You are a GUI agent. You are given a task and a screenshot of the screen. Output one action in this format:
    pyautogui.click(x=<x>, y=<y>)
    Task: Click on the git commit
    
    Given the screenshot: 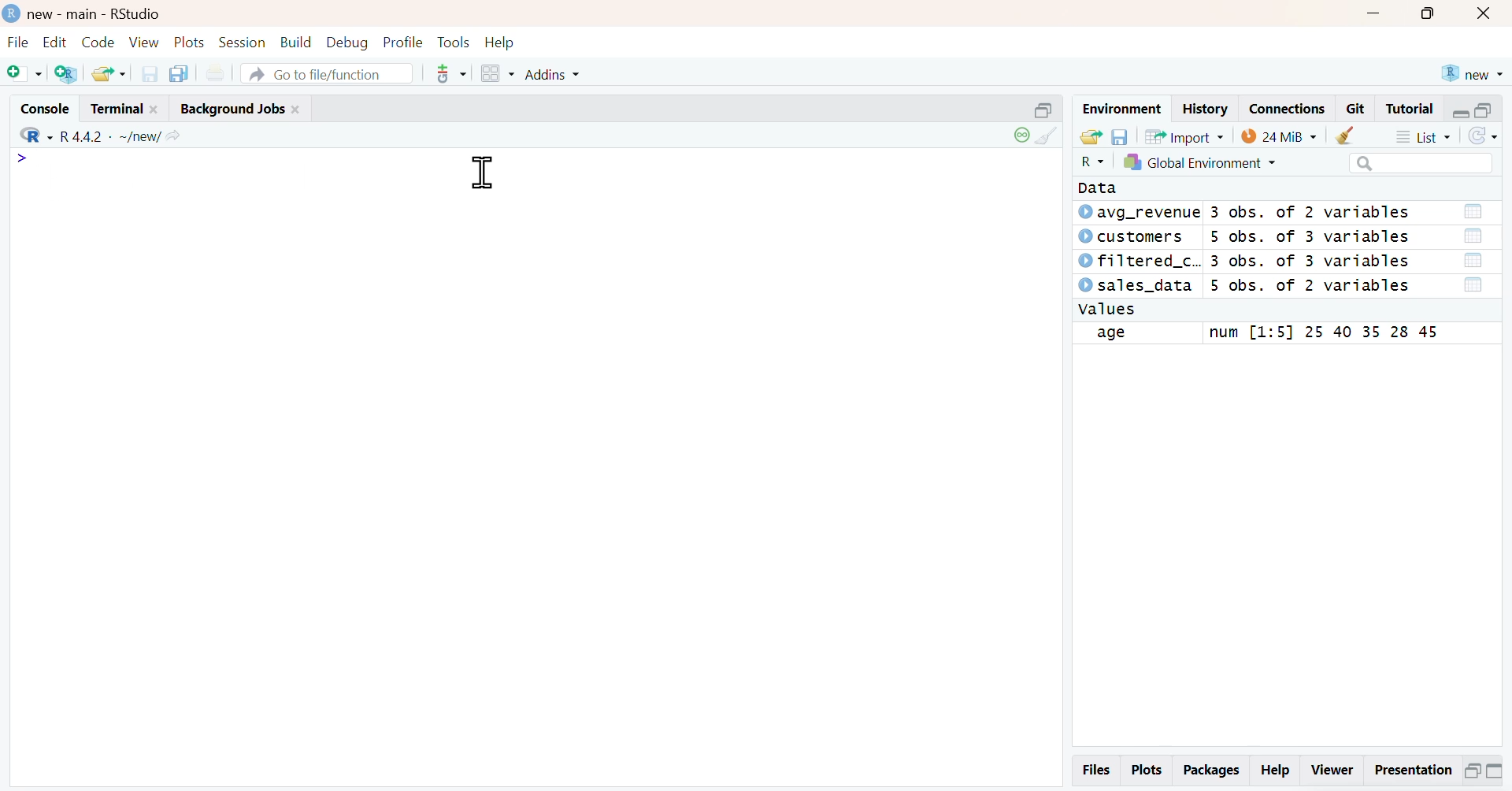 What is the action you would take?
    pyautogui.click(x=446, y=74)
    